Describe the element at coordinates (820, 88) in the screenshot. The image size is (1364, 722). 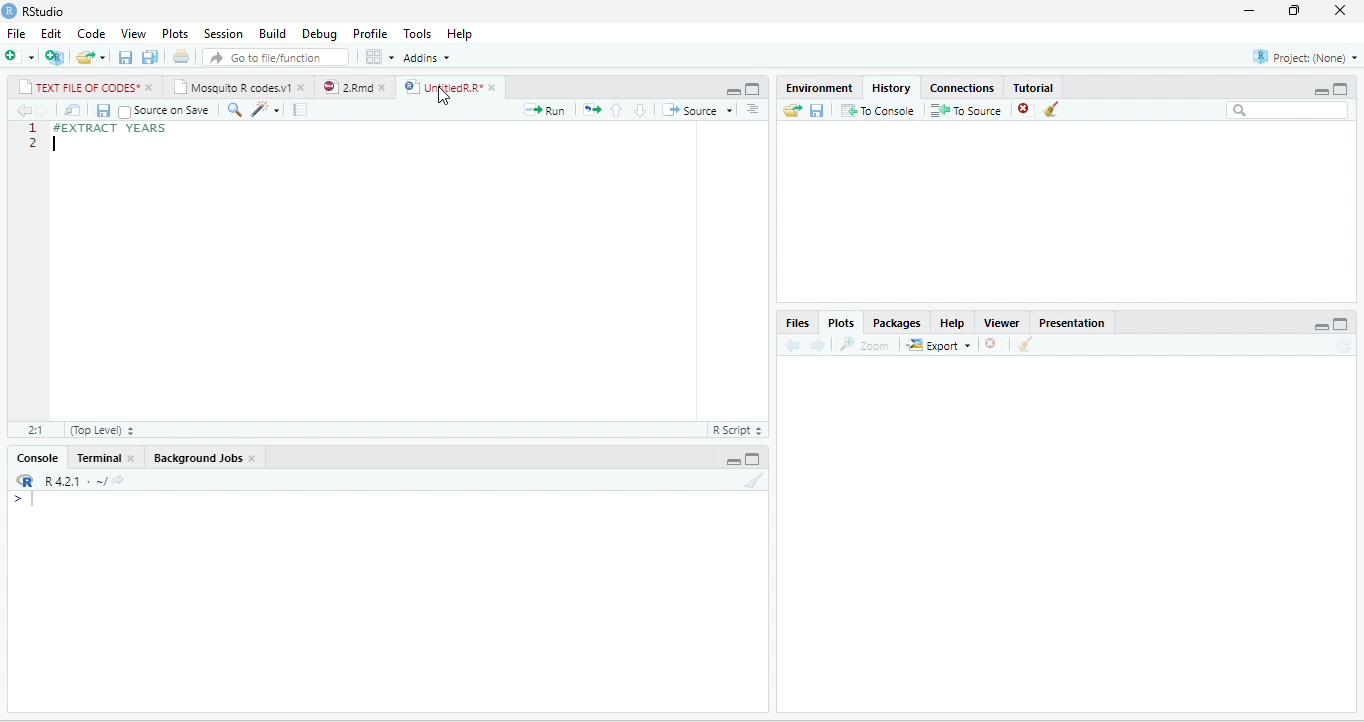
I see `Environment` at that location.